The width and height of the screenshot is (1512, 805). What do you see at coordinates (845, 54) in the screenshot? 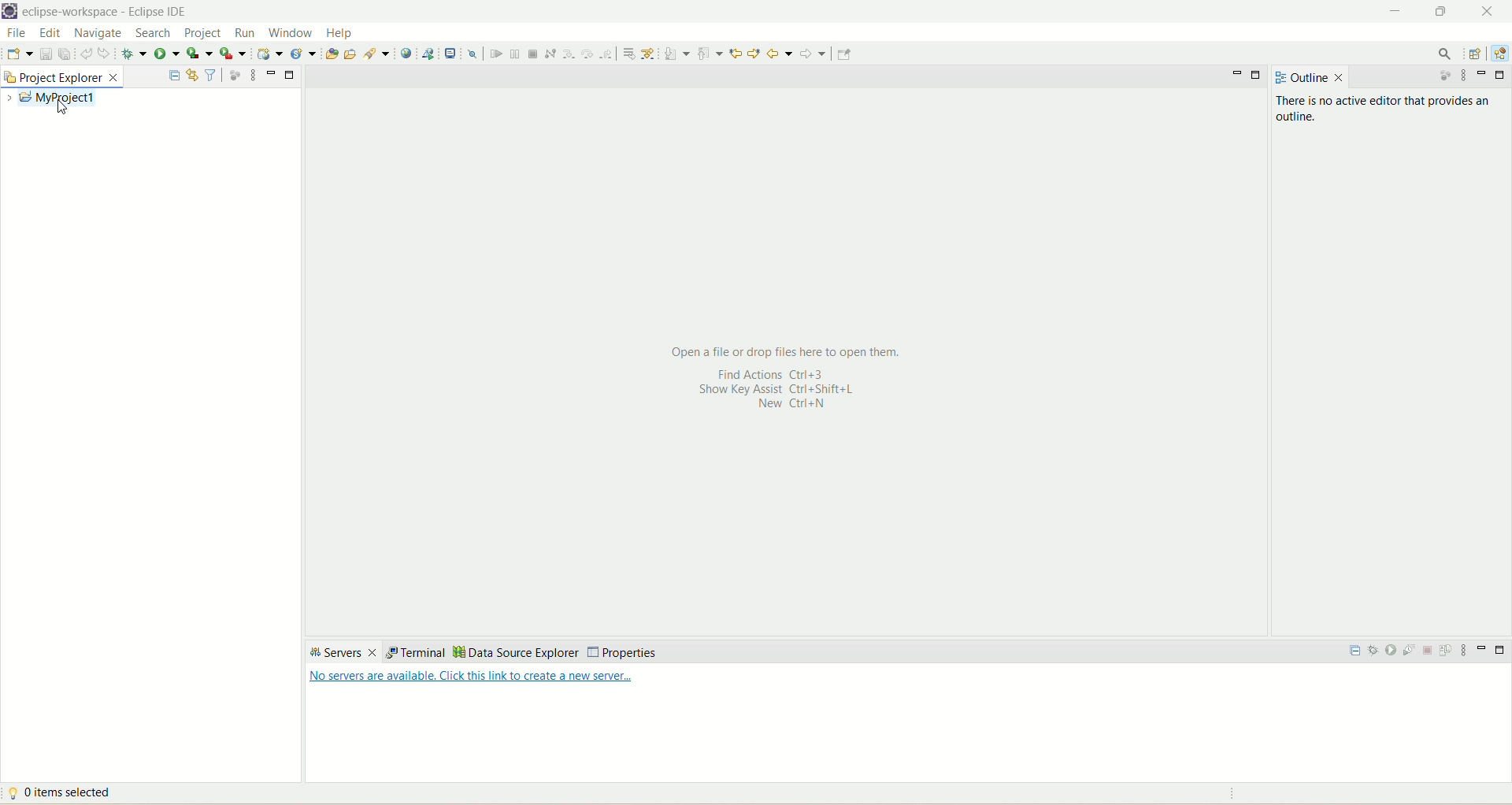
I see `Pin editor` at bounding box center [845, 54].